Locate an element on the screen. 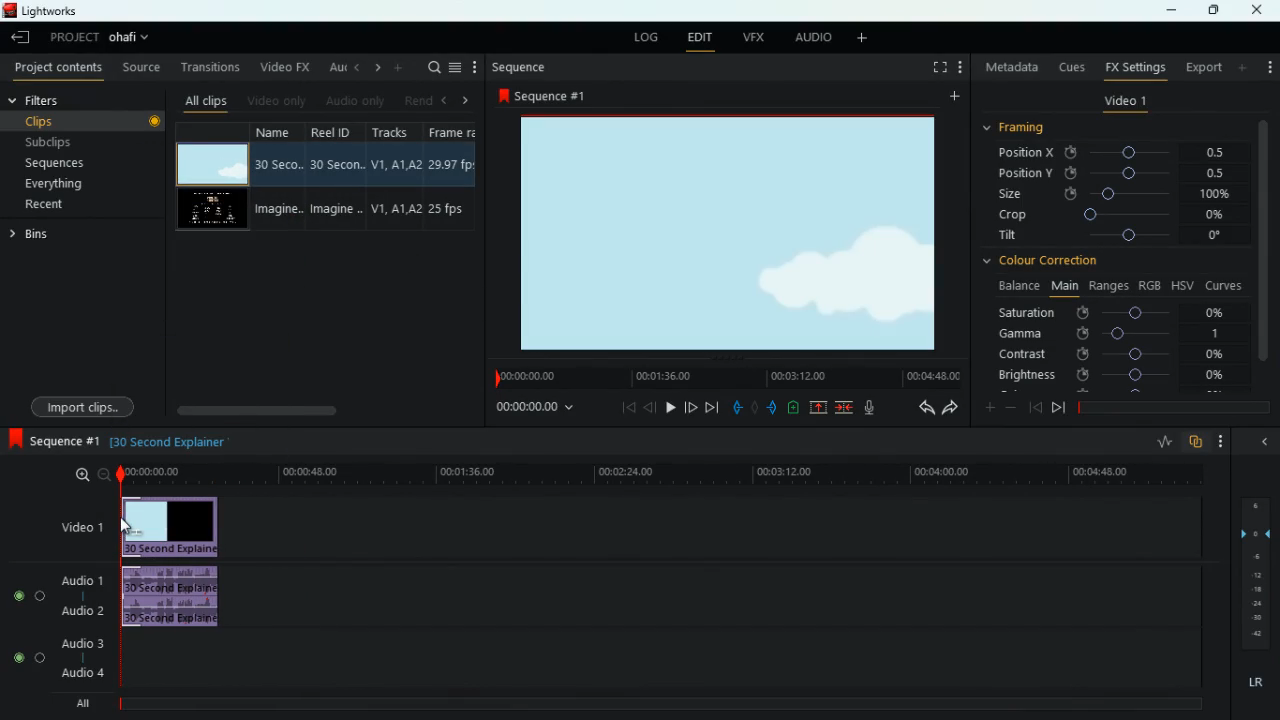 The height and width of the screenshot is (720, 1280). add is located at coordinates (952, 97).